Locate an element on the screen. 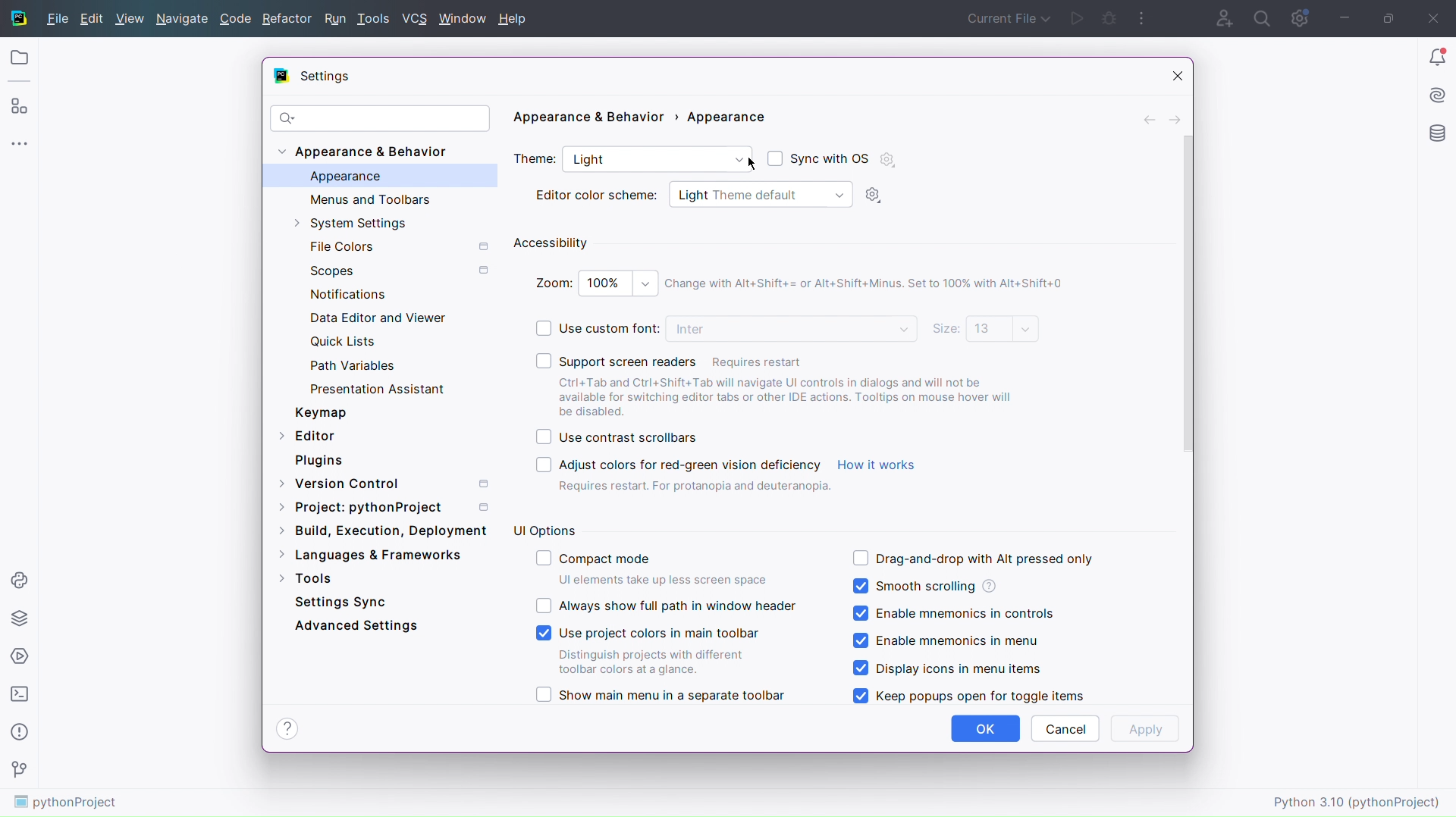 The height and width of the screenshot is (817, 1456). Apply is located at coordinates (1146, 729).